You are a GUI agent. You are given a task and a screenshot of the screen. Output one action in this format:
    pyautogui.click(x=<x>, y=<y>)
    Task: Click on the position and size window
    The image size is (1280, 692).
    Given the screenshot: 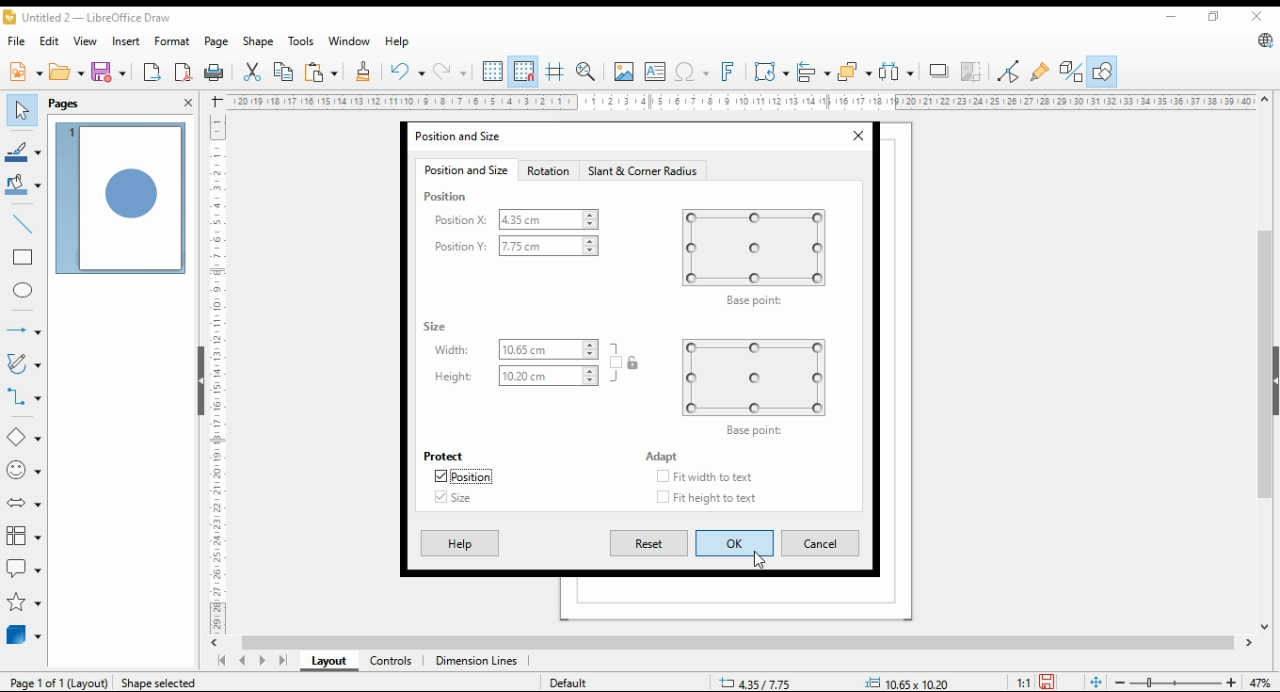 What is the action you would take?
    pyautogui.click(x=476, y=135)
    